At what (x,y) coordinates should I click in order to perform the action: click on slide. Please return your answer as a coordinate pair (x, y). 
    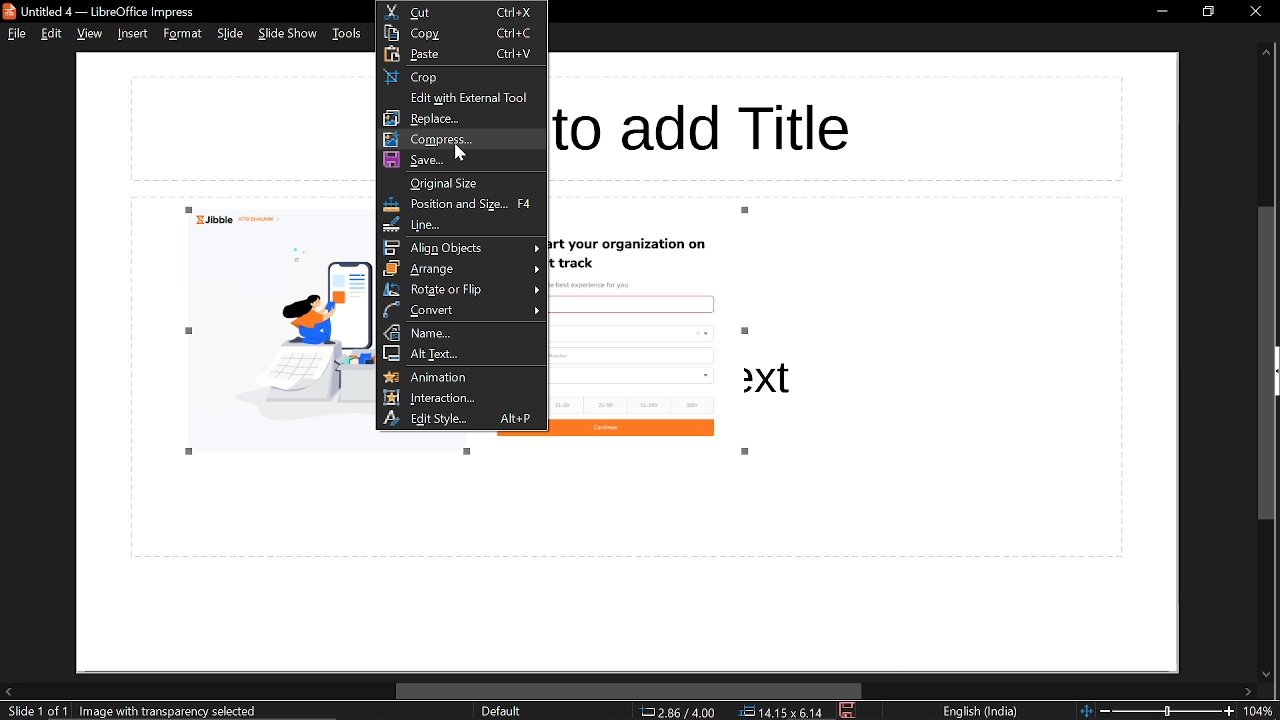
    Looking at the image, I should click on (230, 34).